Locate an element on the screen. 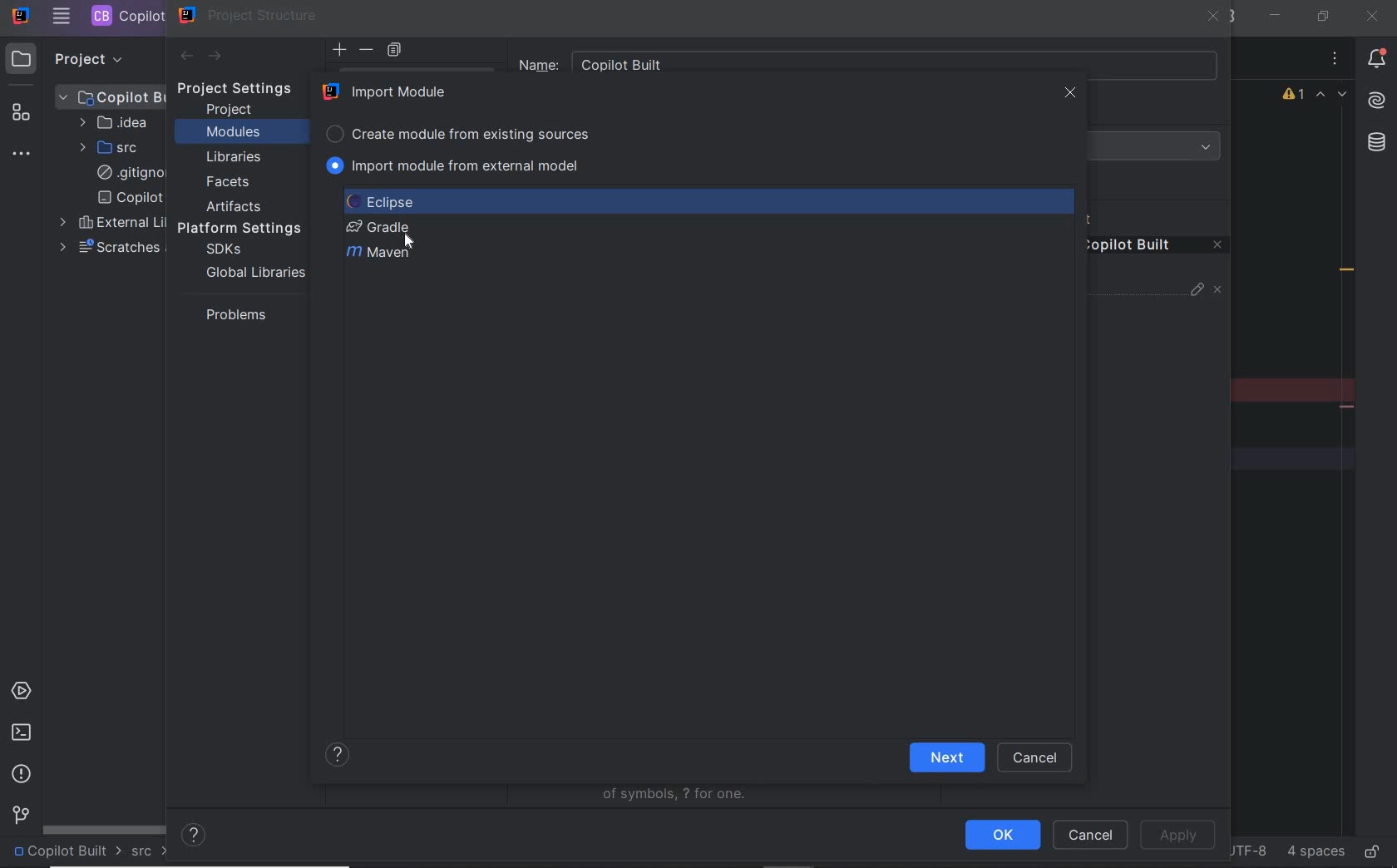 This screenshot has height=868, width=1397. 1 warning is located at coordinates (1295, 96).